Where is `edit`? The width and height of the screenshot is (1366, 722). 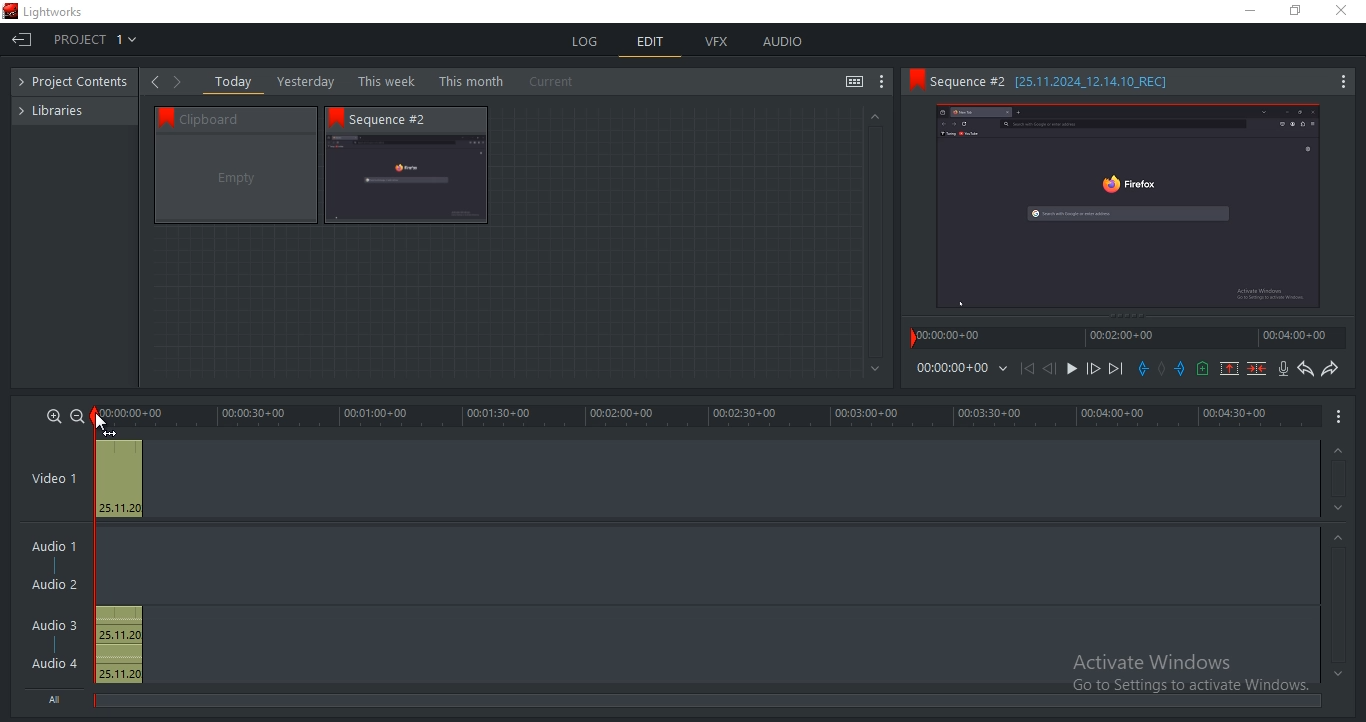
edit is located at coordinates (651, 44).